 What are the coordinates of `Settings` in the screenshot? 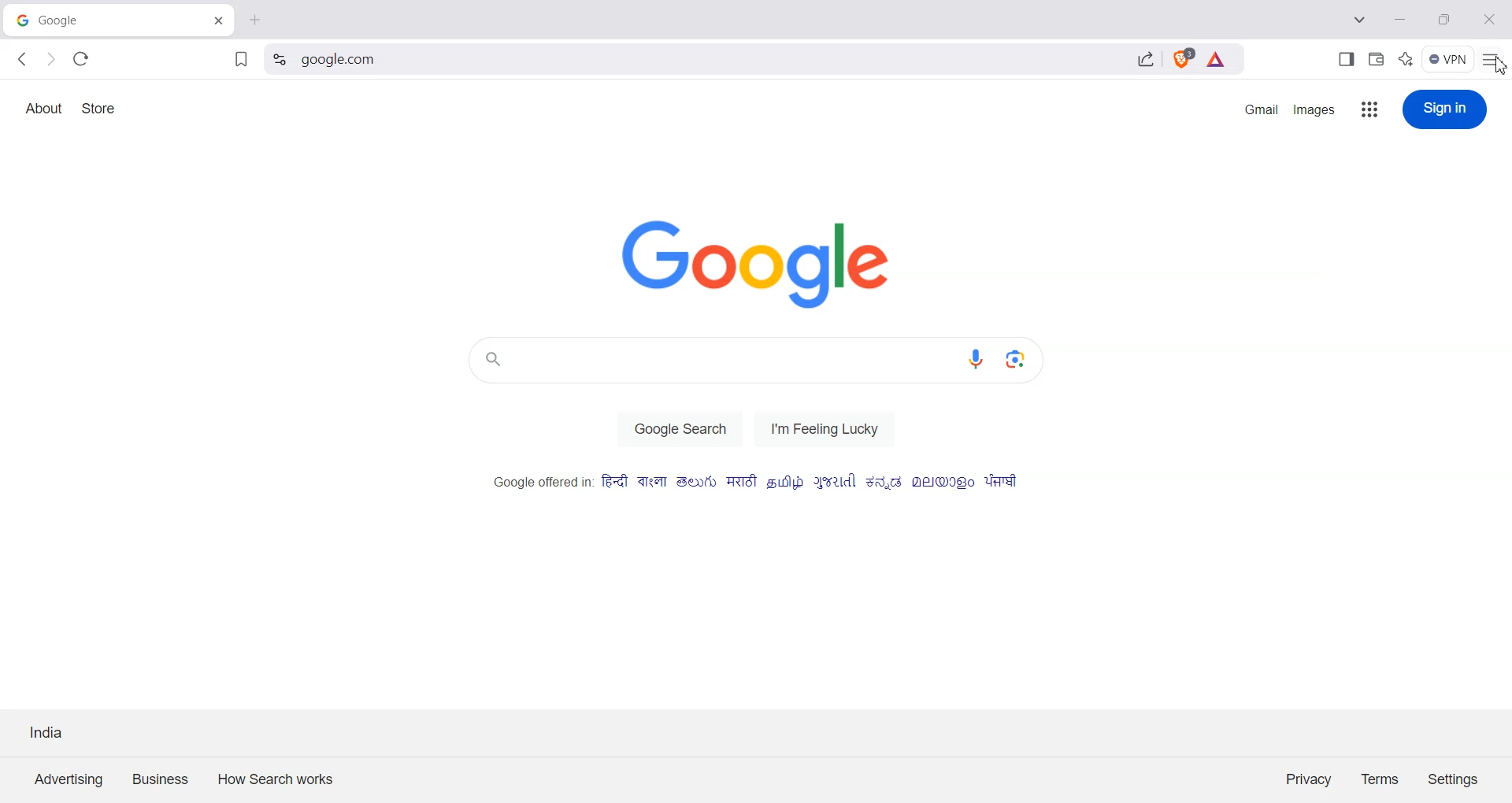 It's located at (1454, 778).